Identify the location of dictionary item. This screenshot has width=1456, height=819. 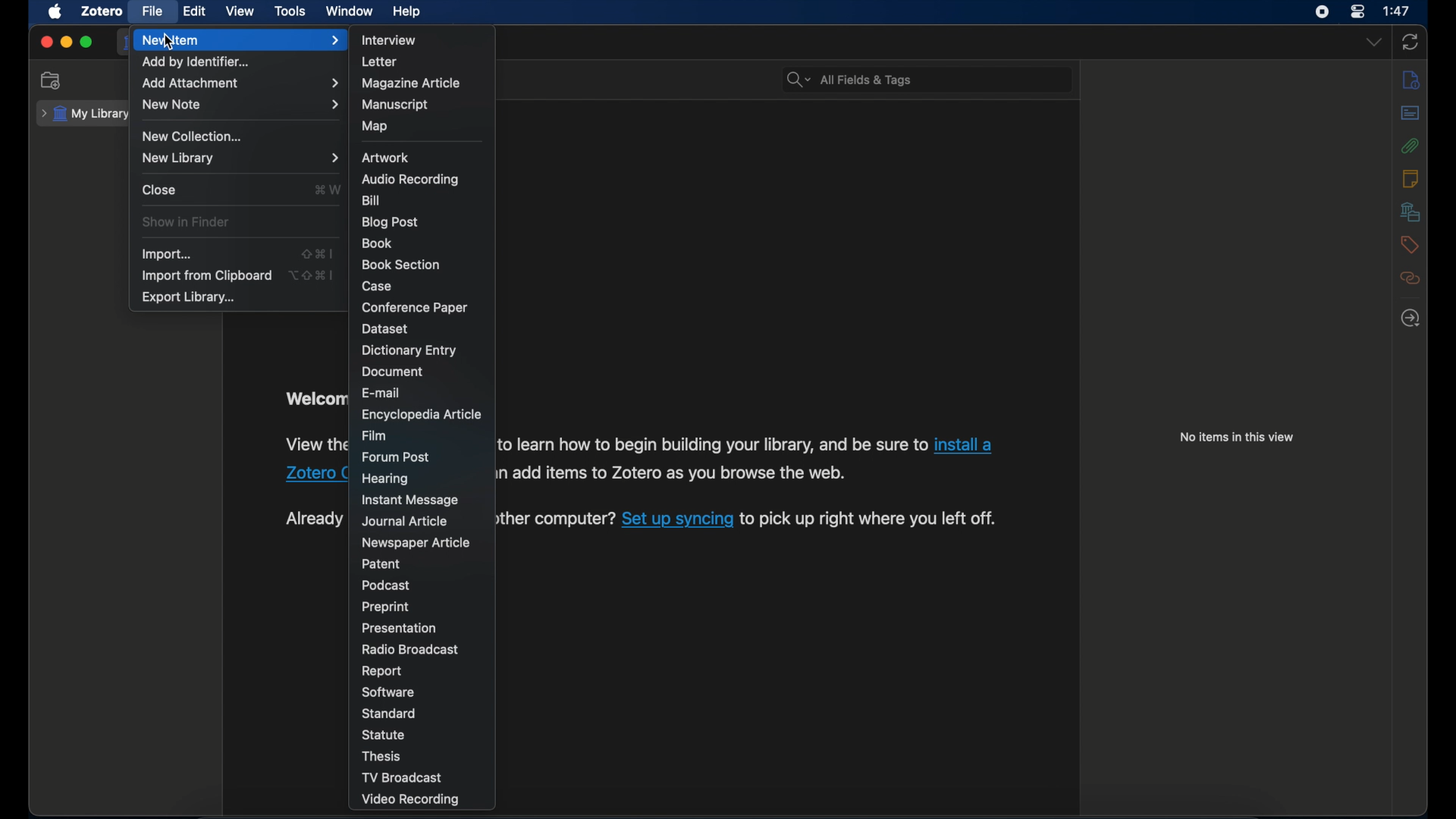
(409, 350).